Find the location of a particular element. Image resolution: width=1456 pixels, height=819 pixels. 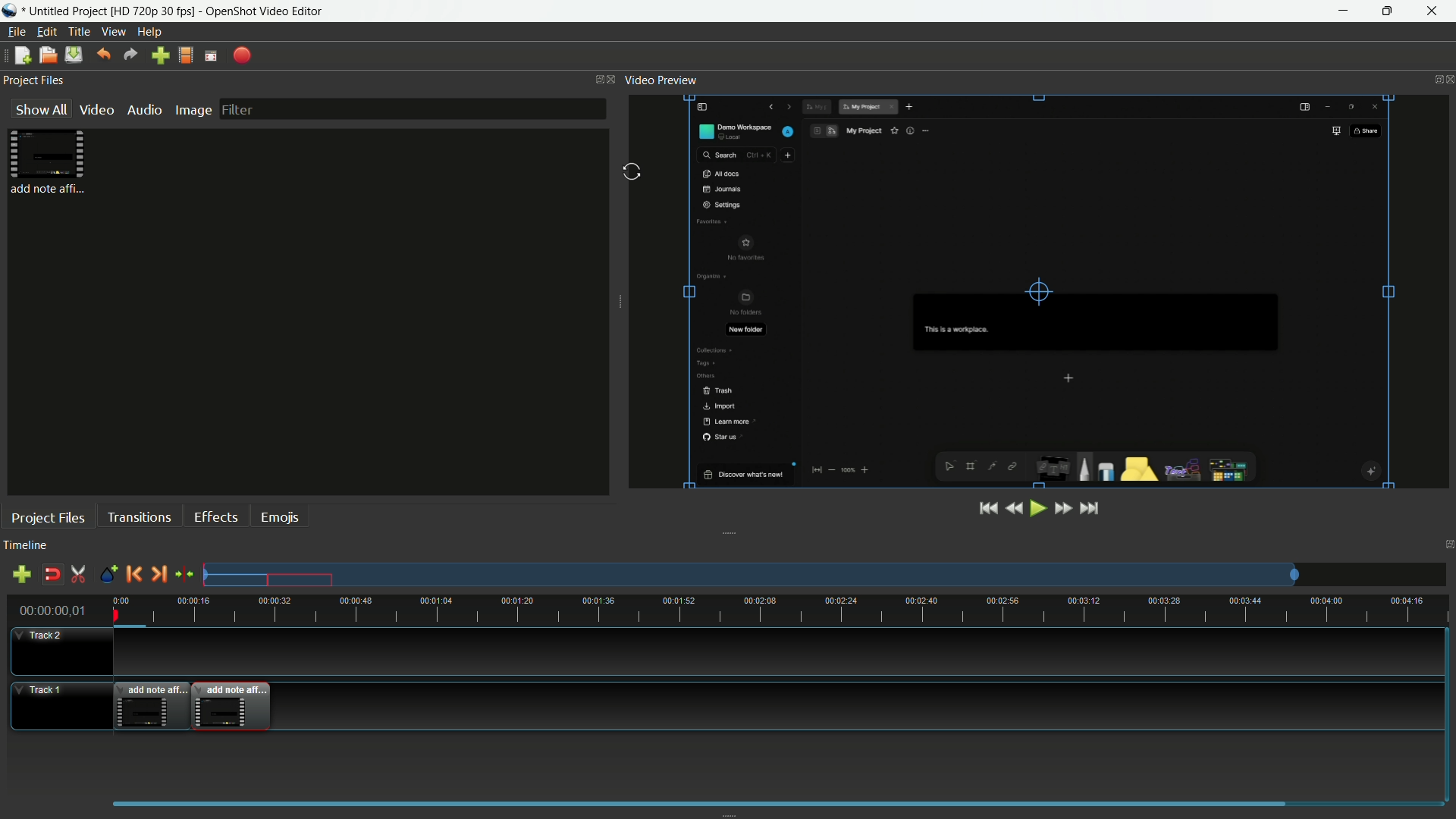

project files is located at coordinates (49, 518).